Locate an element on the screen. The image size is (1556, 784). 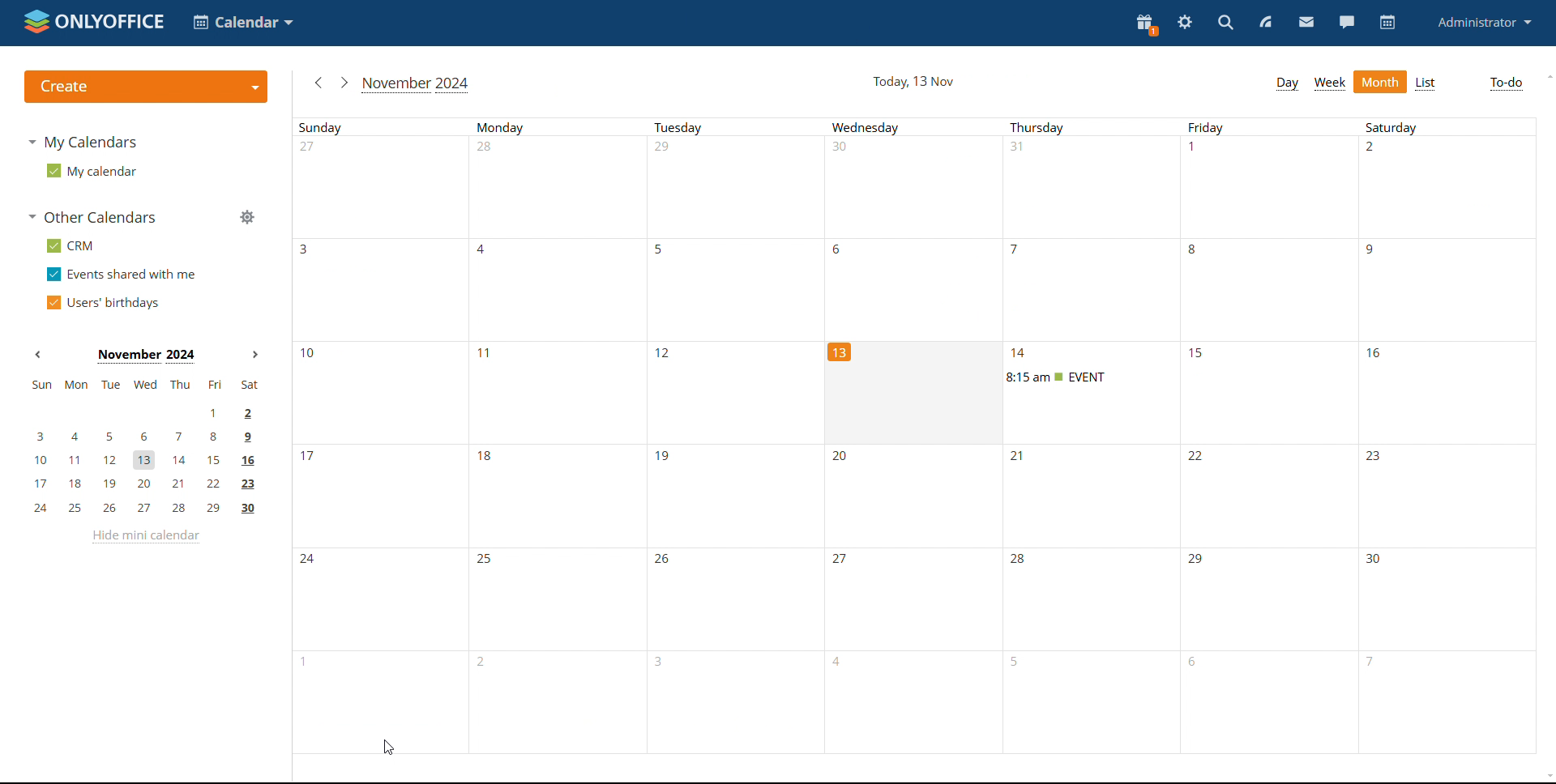
next month is located at coordinates (253, 355).